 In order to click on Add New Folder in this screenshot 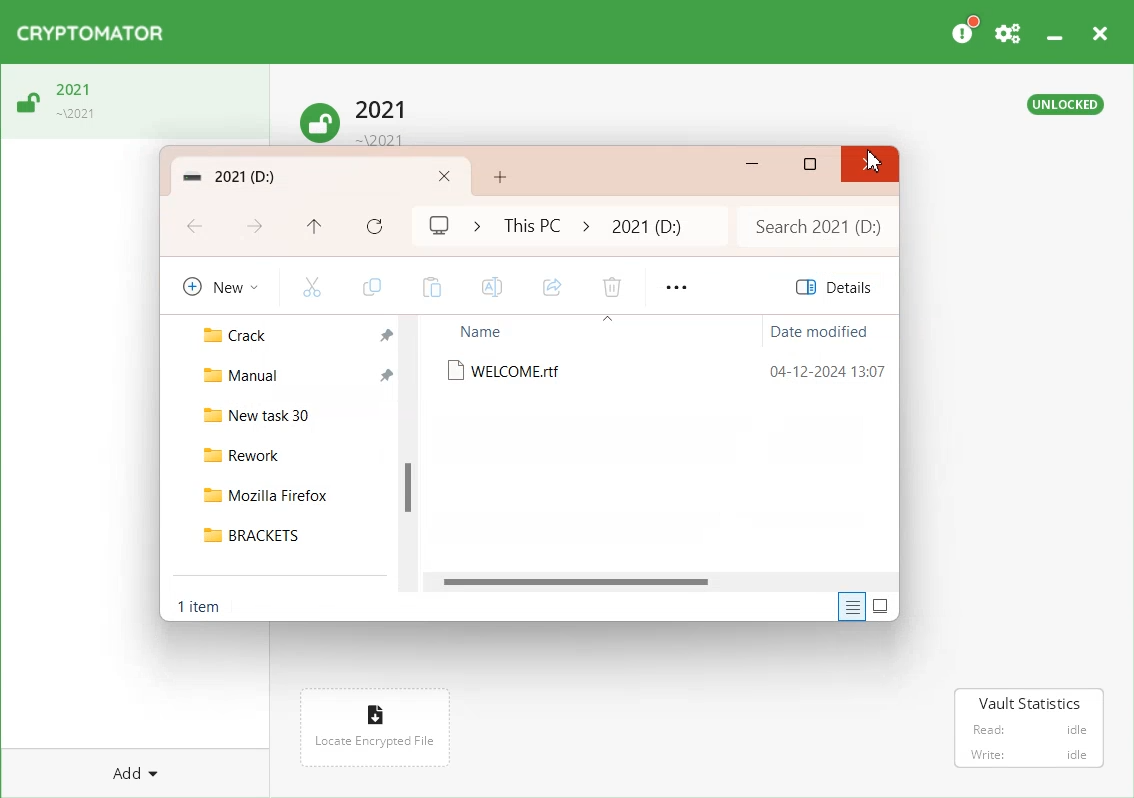, I will do `click(499, 176)`.